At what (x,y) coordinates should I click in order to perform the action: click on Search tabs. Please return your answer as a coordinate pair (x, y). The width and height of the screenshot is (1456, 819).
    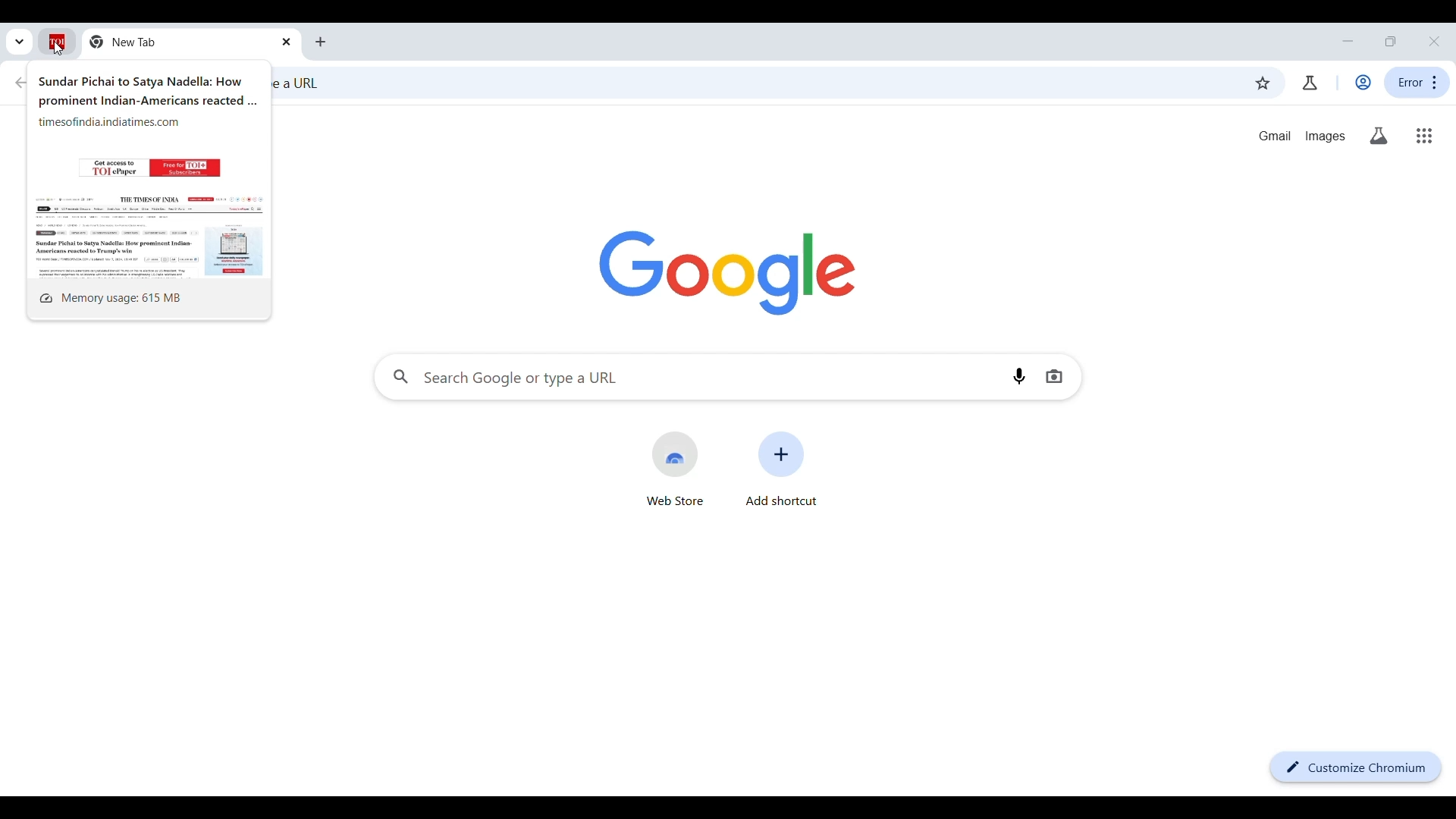
    Looking at the image, I should click on (20, 42).